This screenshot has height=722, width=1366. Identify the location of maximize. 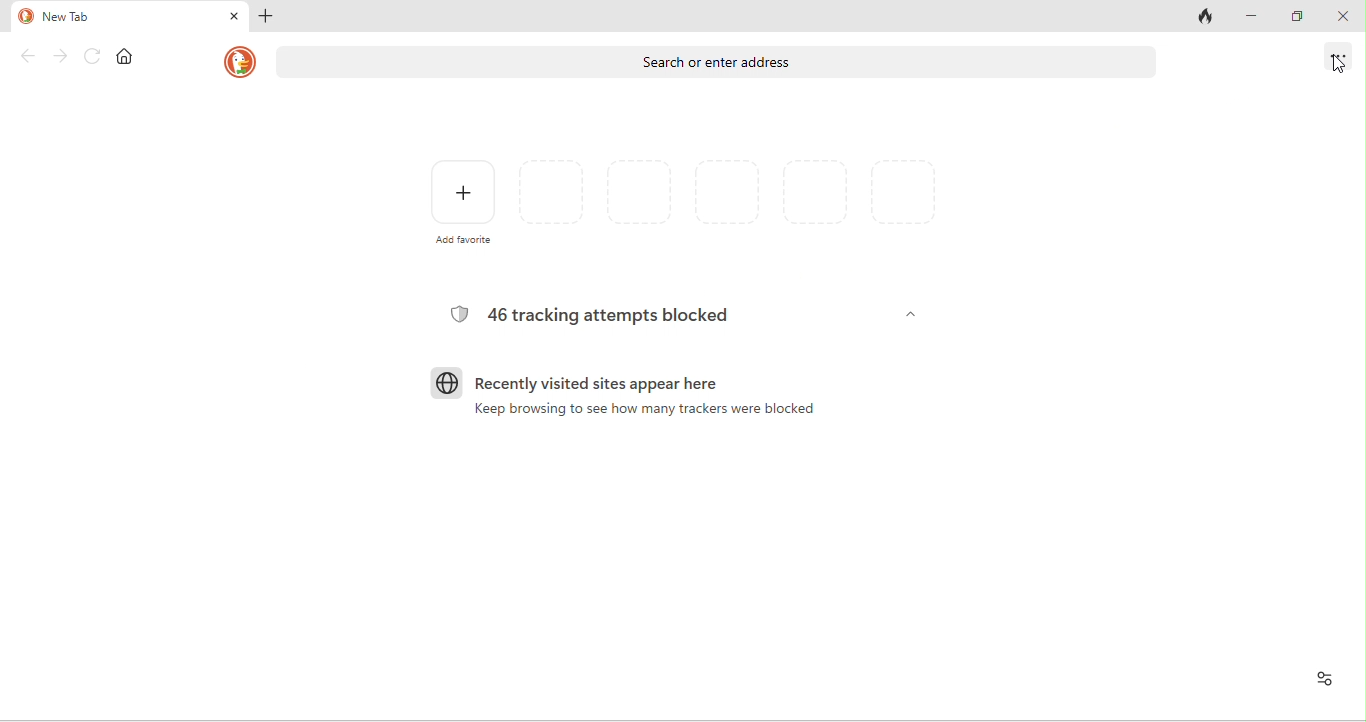
(1301, 17).